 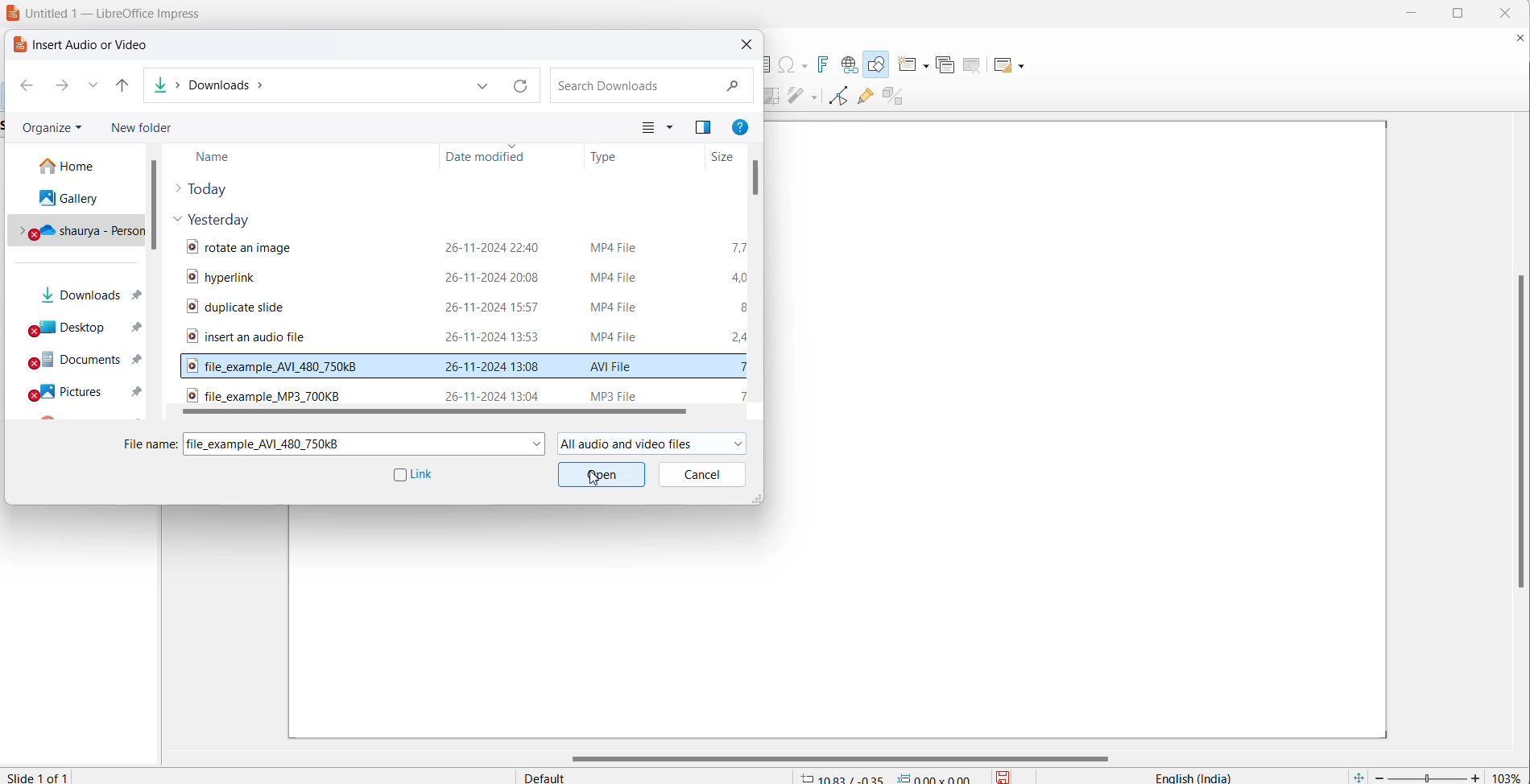 What do you see at coordinates (73, 195) in the screenshot?
I see `galley` at bounding box center [73, 195].